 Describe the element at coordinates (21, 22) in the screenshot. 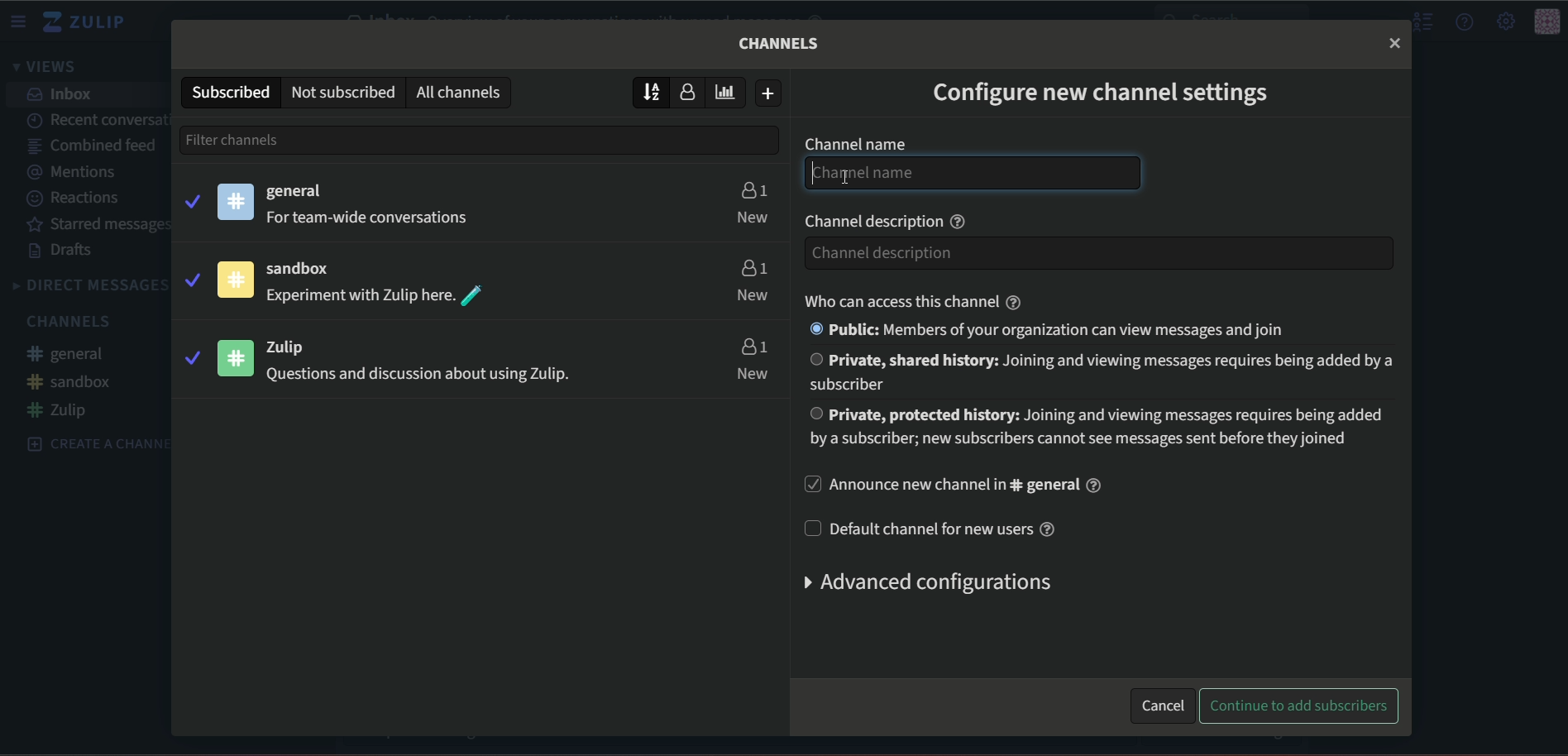

I see `menu` at that location.